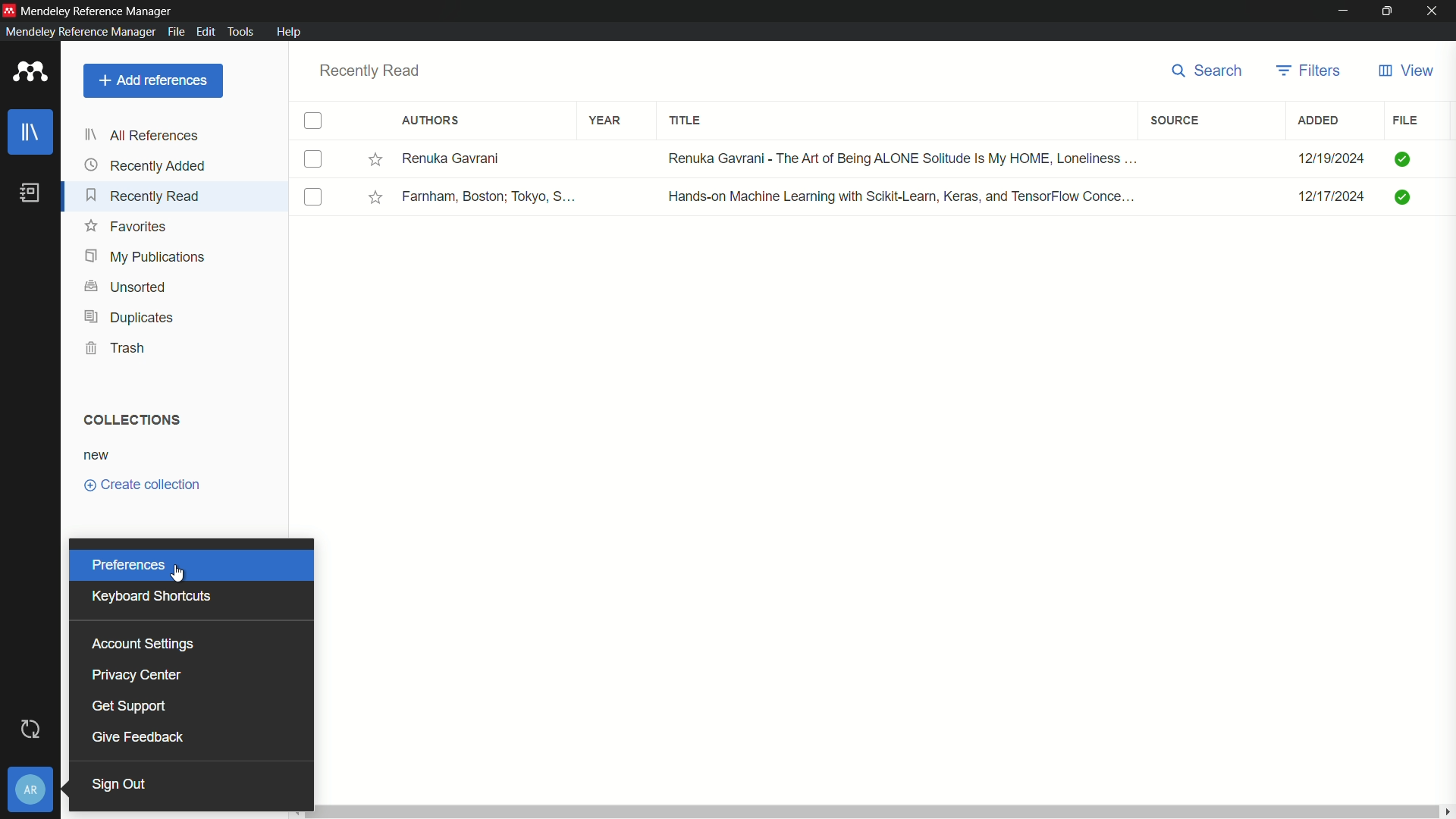 The width and height of the screenshot is (1456, 819). I want to click on file, so click(1405, 121).